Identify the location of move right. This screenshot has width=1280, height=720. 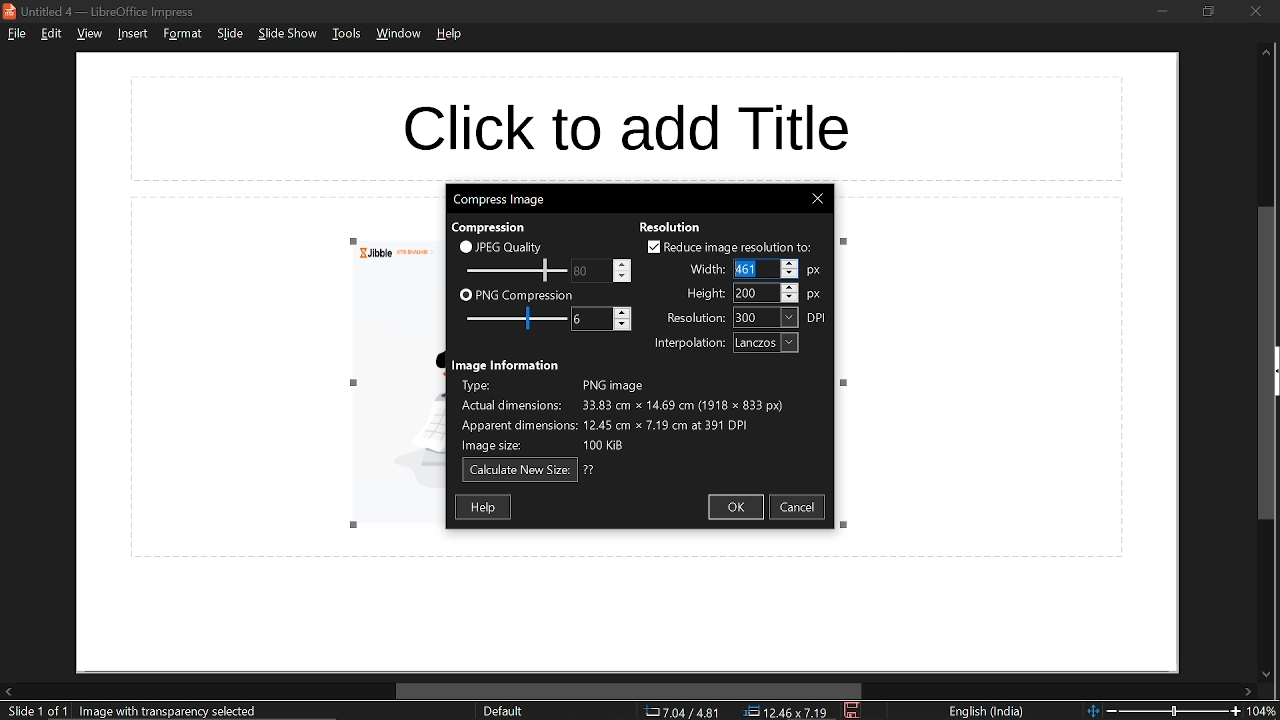
(1249, 691).